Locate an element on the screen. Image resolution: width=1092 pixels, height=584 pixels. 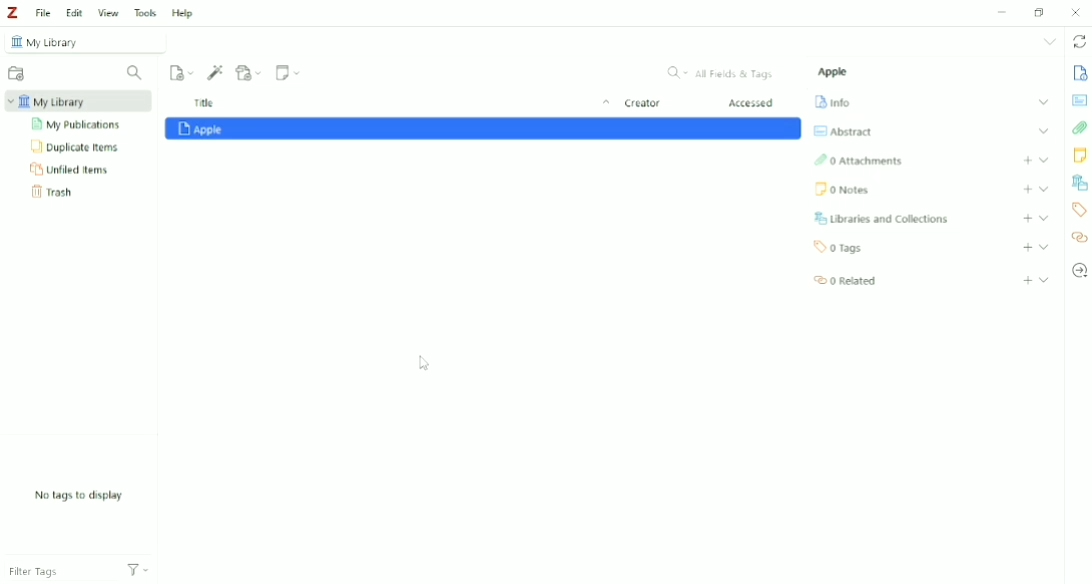
Abstract is located at coordinates (1080, 101).